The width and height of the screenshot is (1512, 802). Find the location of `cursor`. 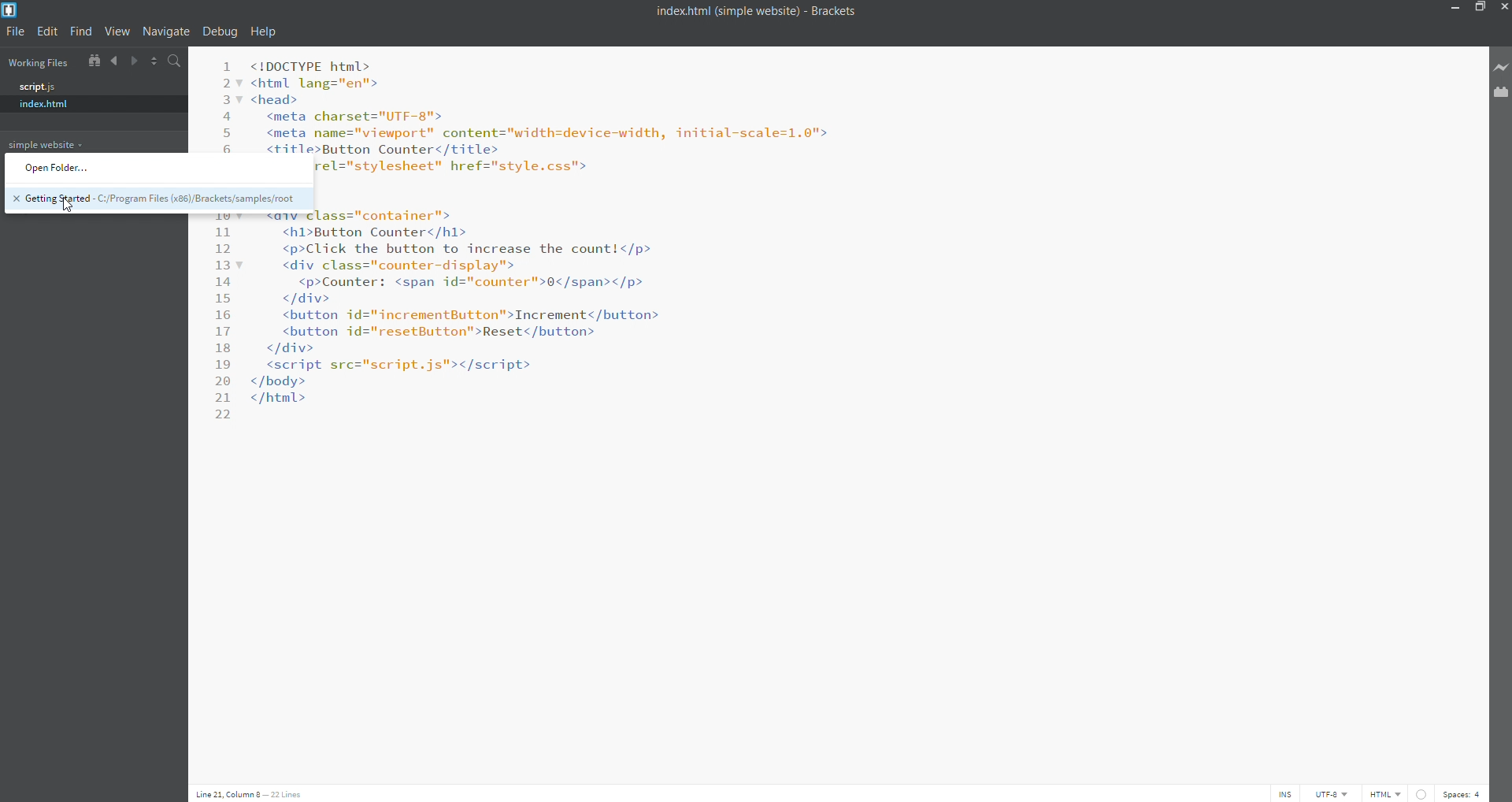

cursor is located at coordinates (67, 204).